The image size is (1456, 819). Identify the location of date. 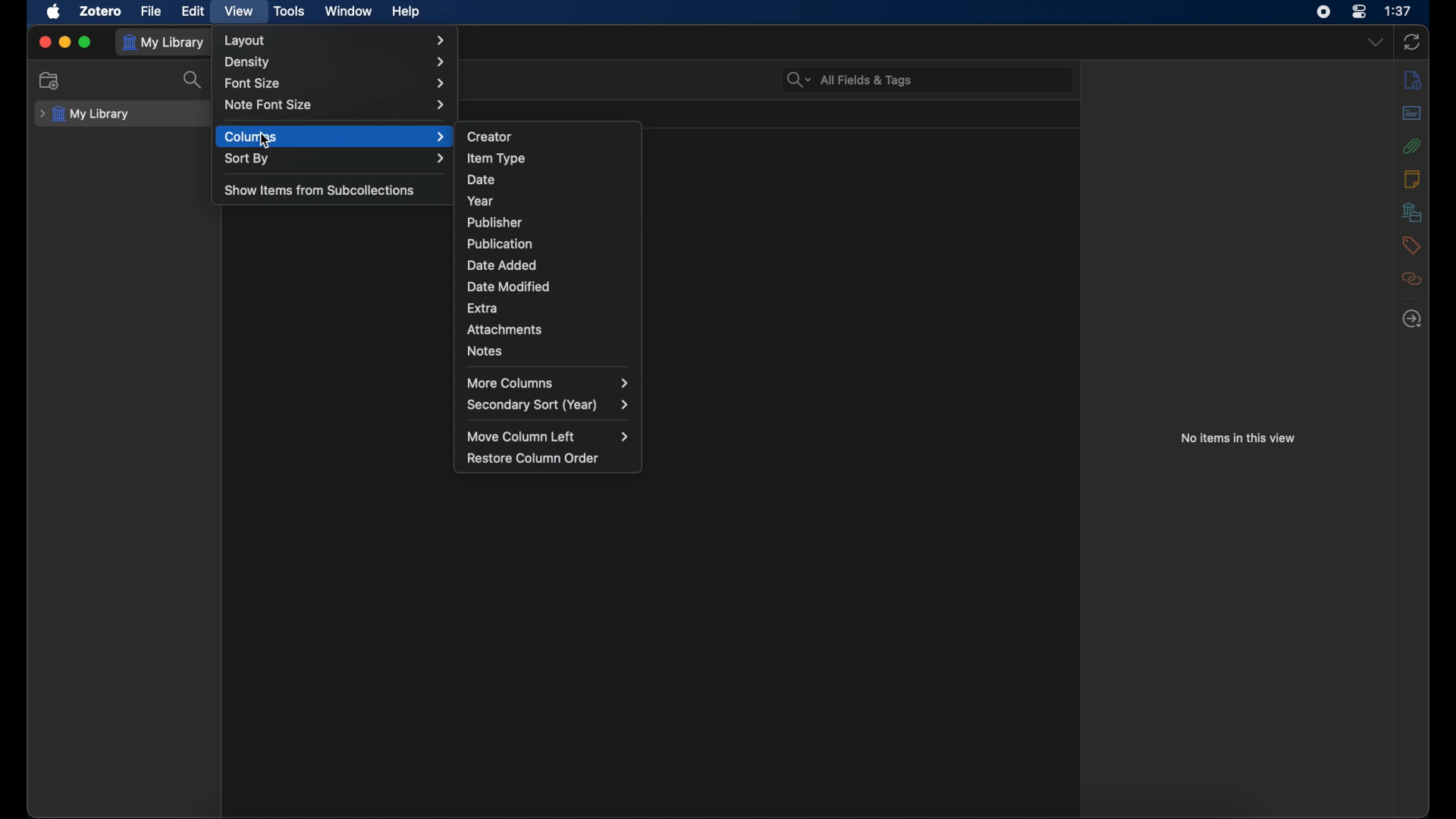
(481, 180).